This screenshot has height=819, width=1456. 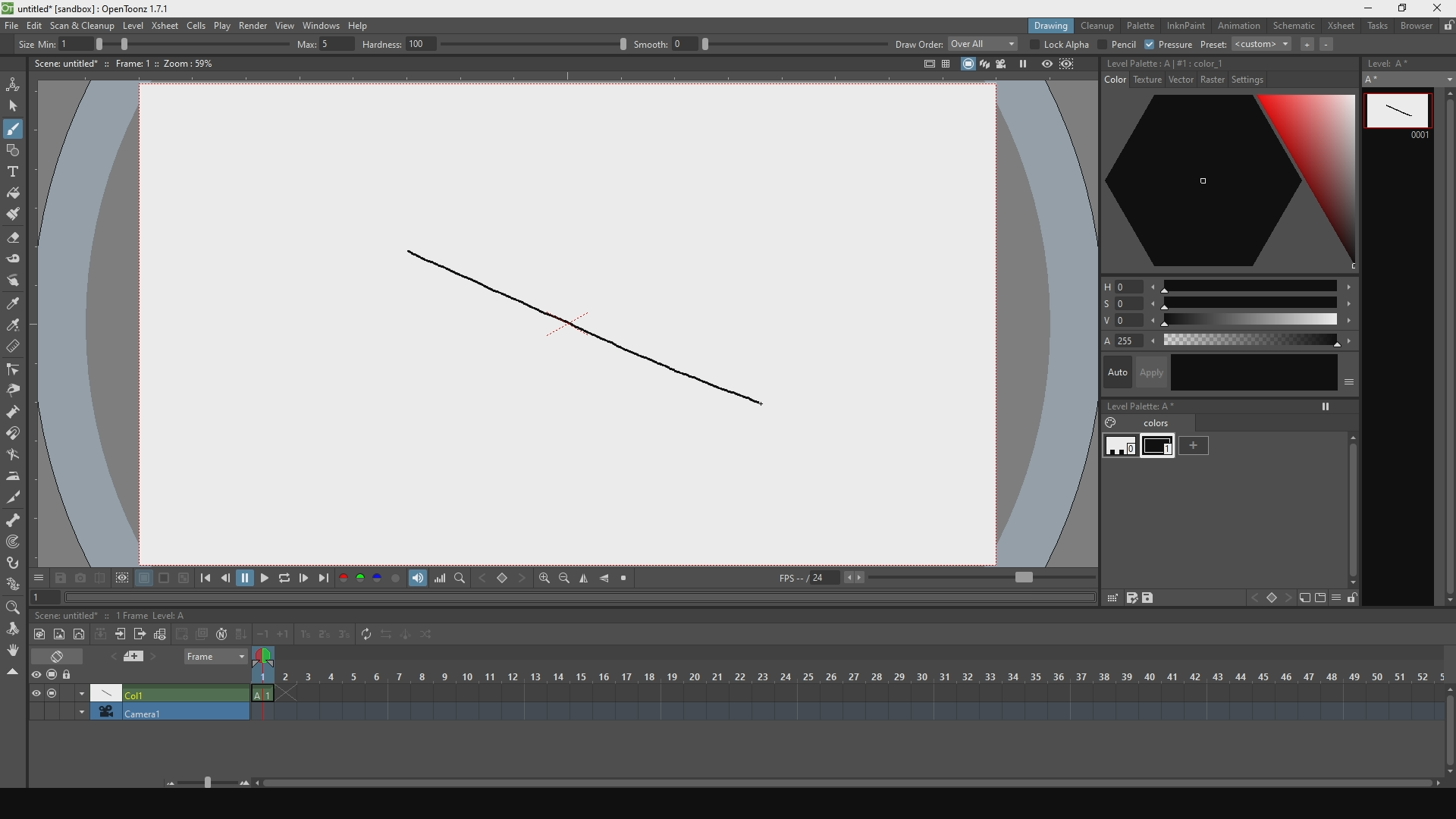 What do you see at coordinates (1436, 8) in the screenshot?
I see `close` at bounding box center [1436, 8].